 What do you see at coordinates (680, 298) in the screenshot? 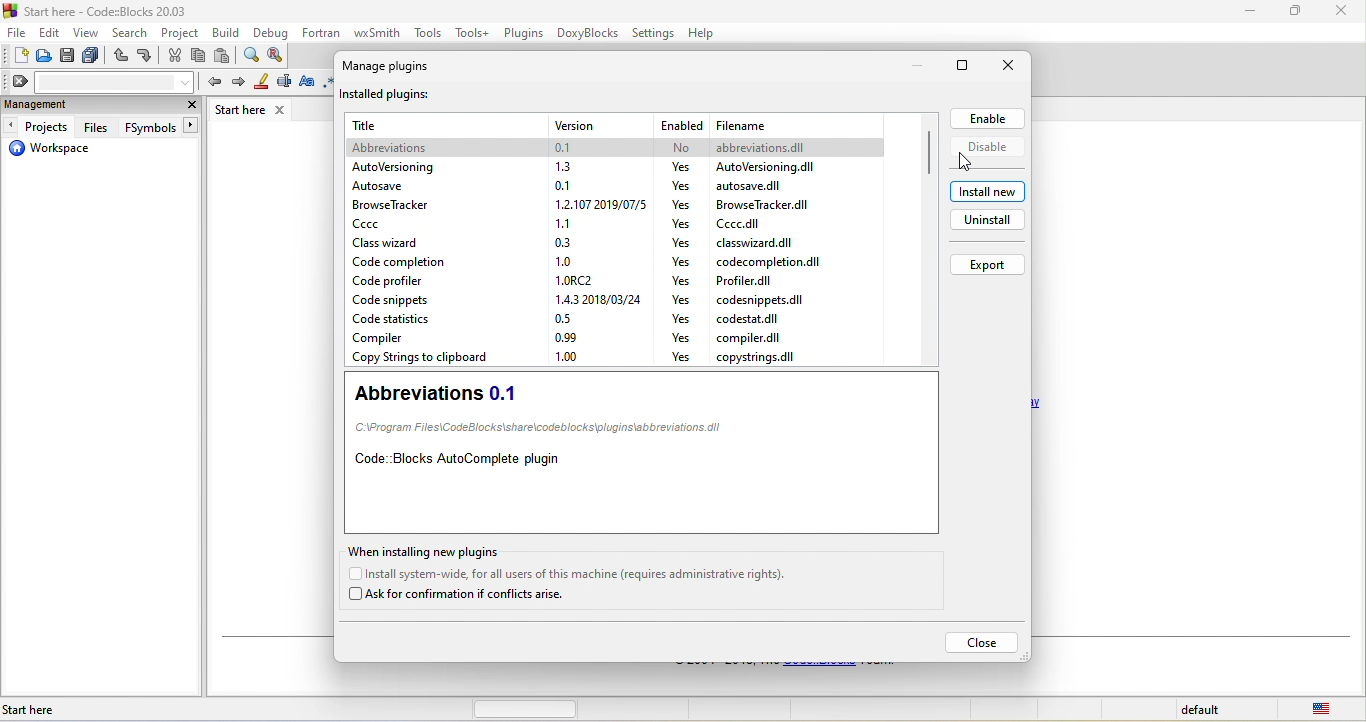
I see `yes` at bounding box center [680, 298].